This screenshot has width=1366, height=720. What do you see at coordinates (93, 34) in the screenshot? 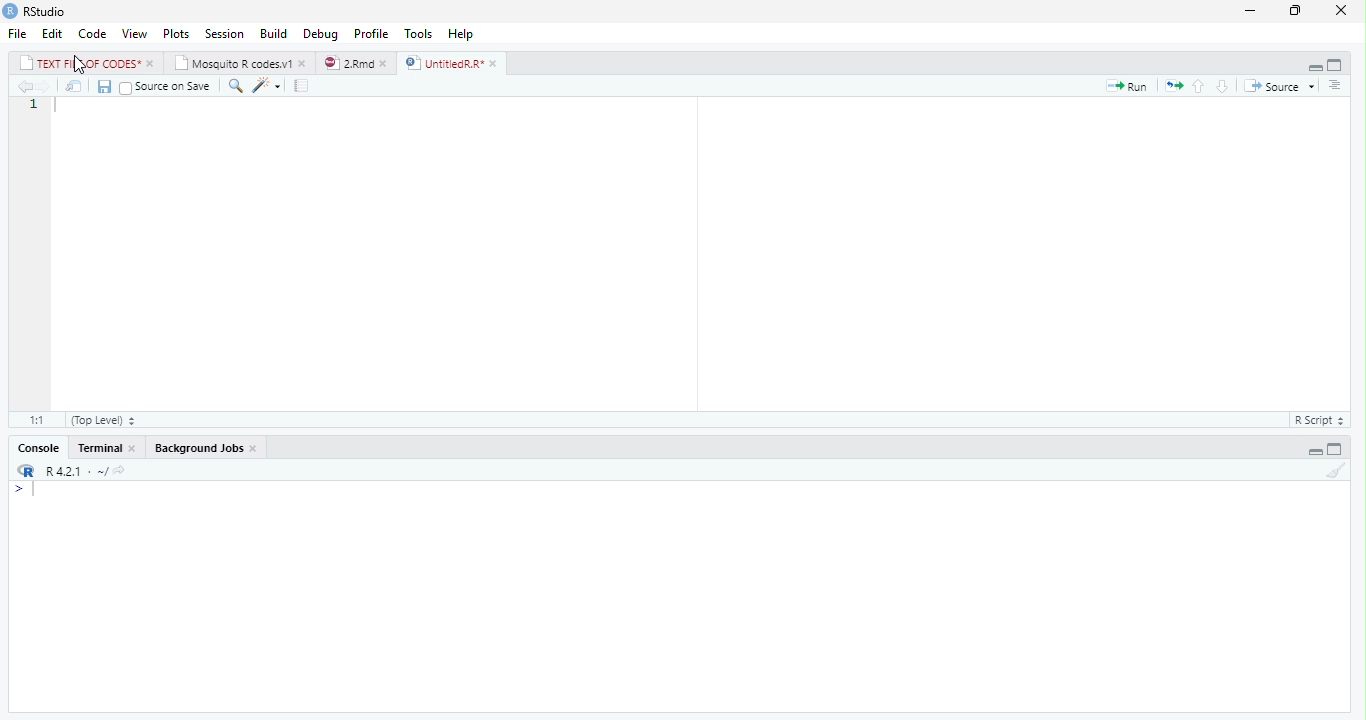
I see `Code` at bounding box center [93, 34].